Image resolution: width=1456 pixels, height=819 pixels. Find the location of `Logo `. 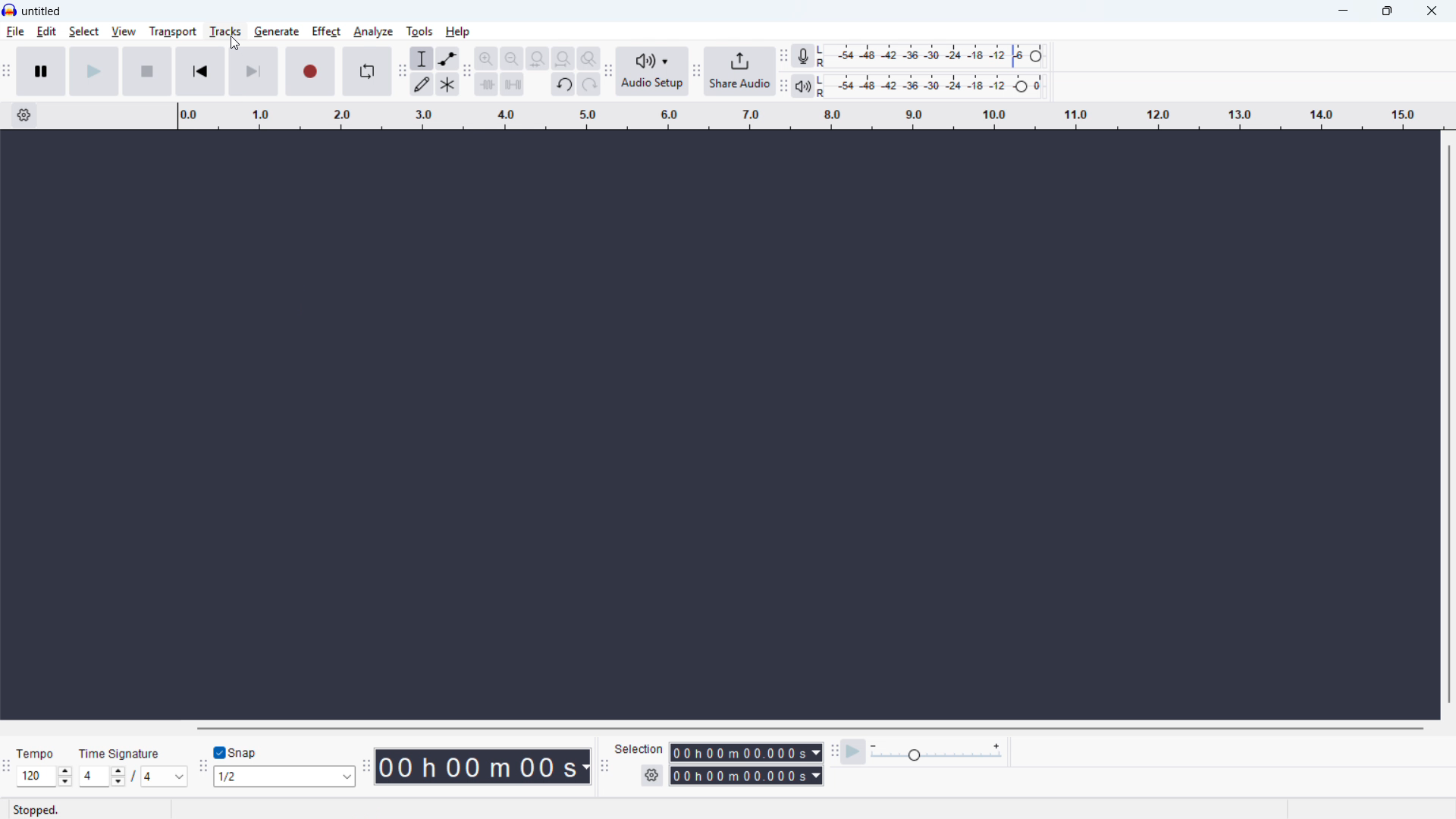

Logo  is located at coordinates (10, 11).